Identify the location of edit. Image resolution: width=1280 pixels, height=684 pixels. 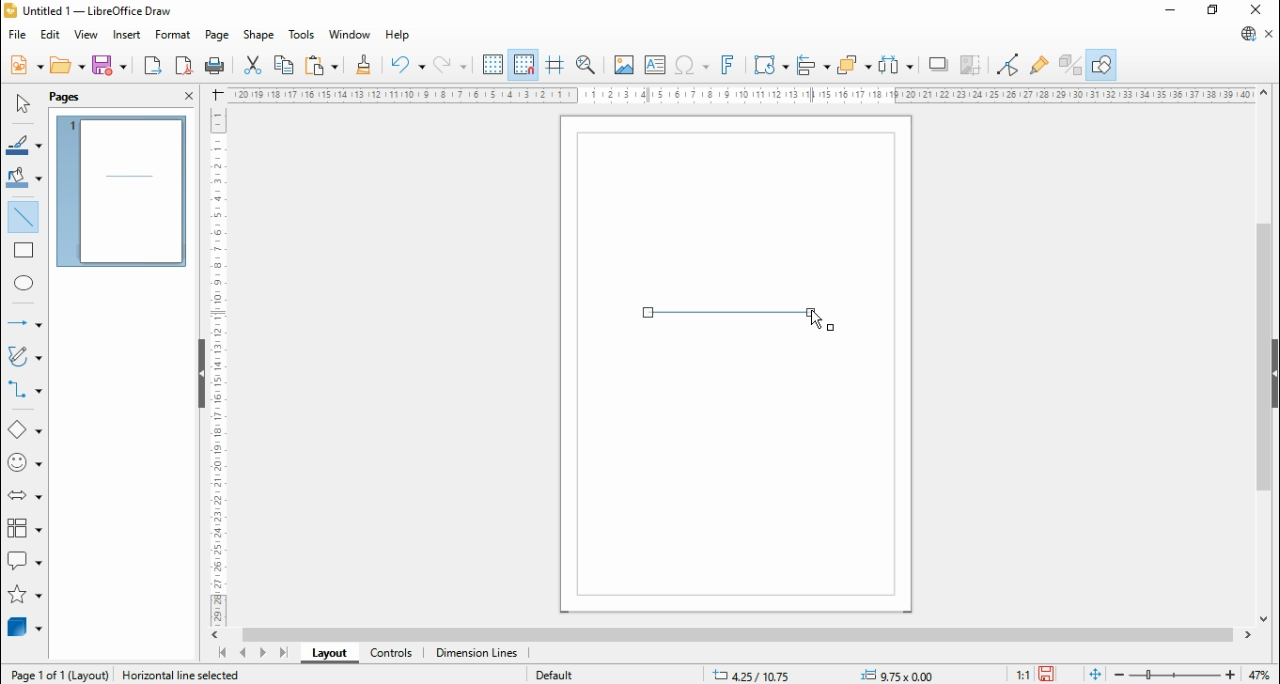
(50, 36).